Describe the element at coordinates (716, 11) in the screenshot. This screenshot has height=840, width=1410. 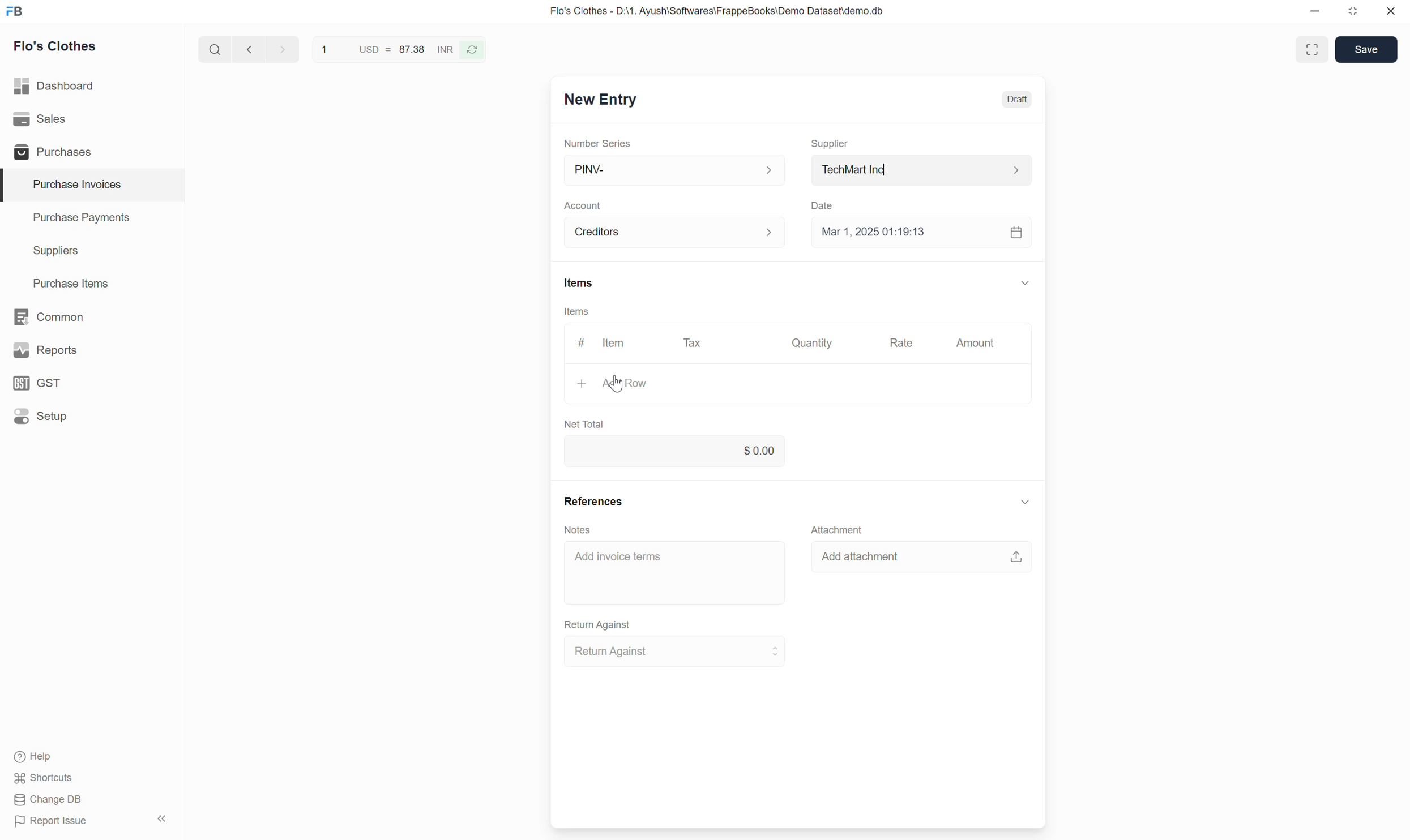
I see `Flo's Clothes - D:\1. Ayush\Softwares\FrappeBooks\Demo Dataset\demo.db` at that location.